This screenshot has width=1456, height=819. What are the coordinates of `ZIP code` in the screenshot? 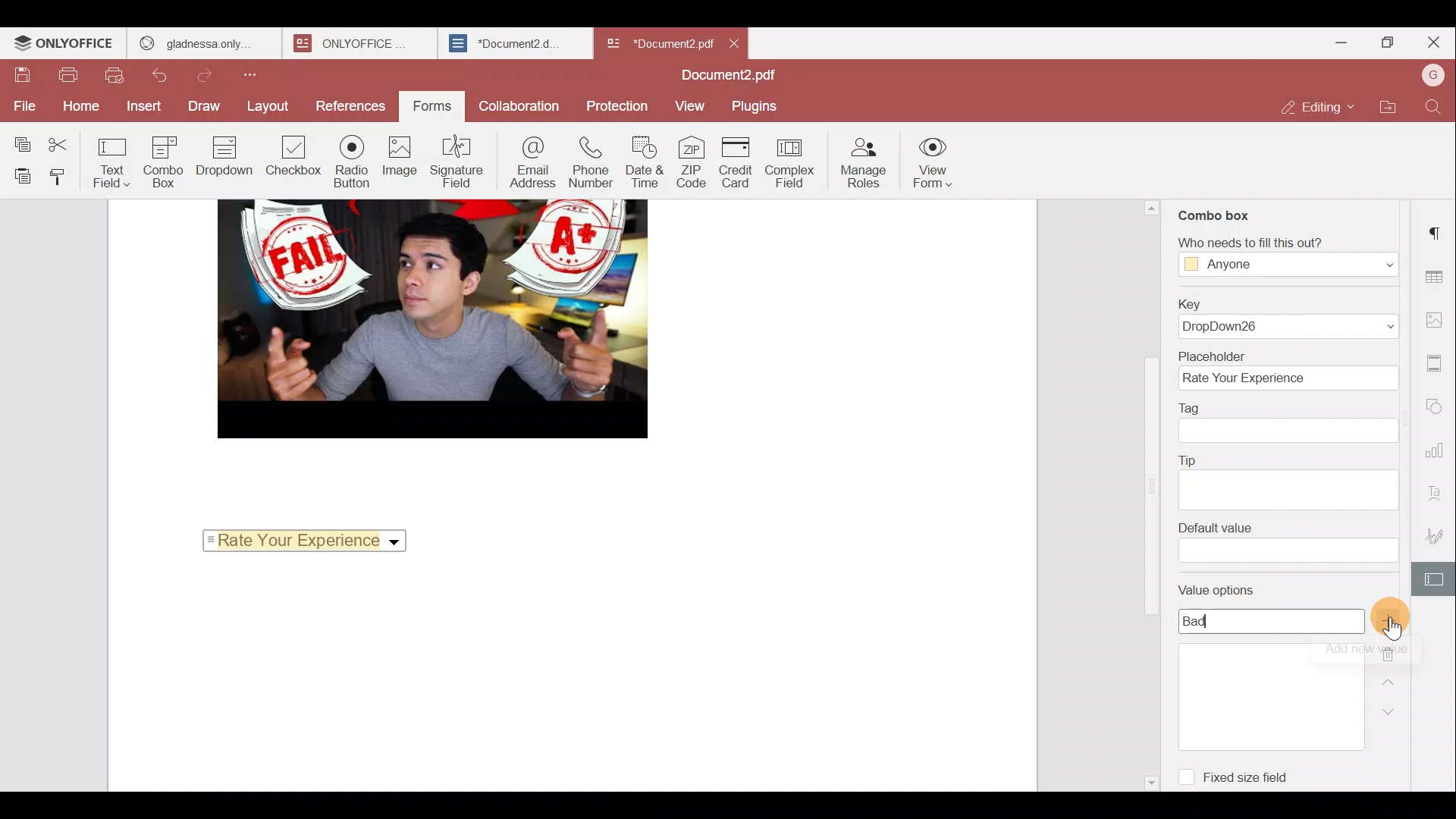 It's located at (692, 164).